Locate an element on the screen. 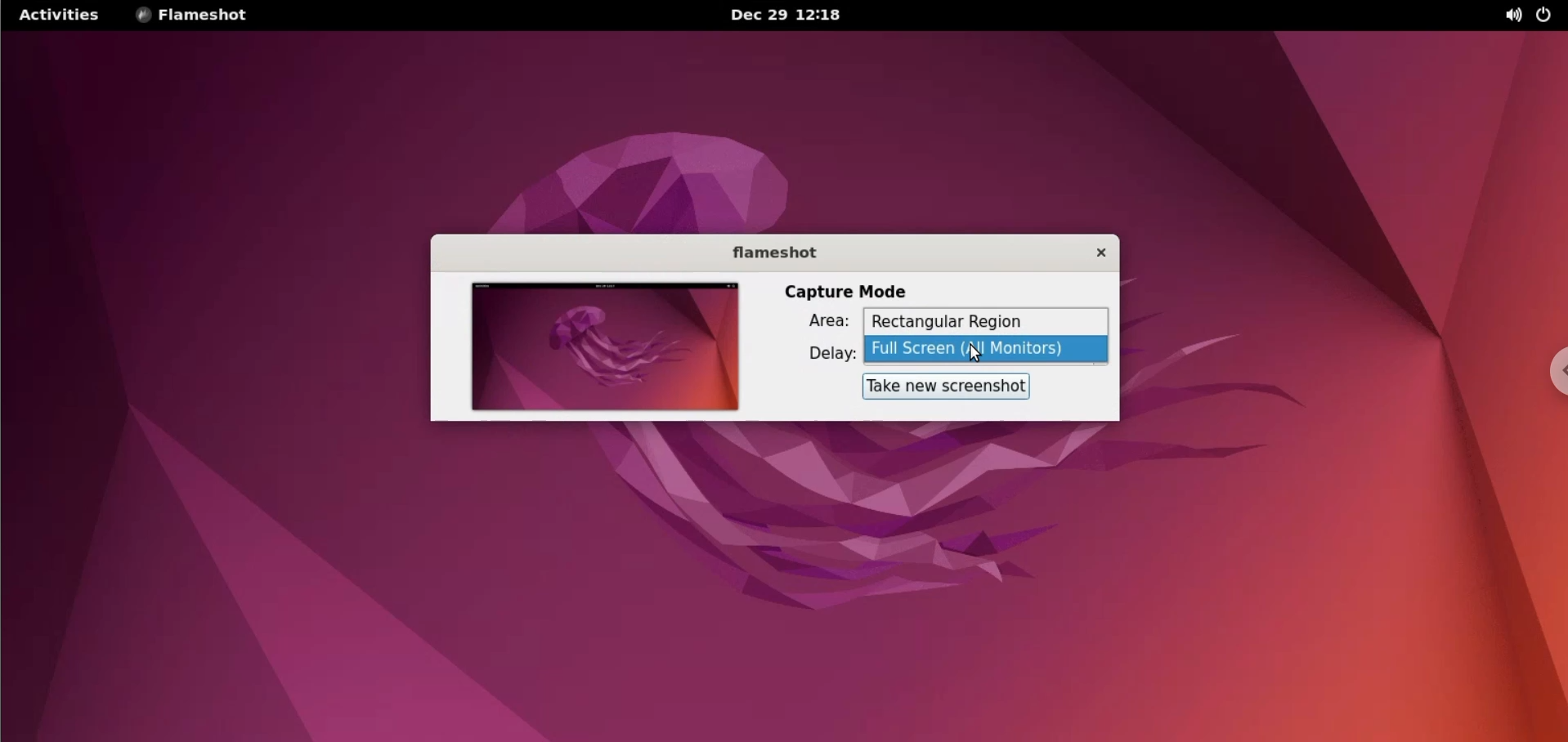  rectangular region is located at coordinates (987, 324).